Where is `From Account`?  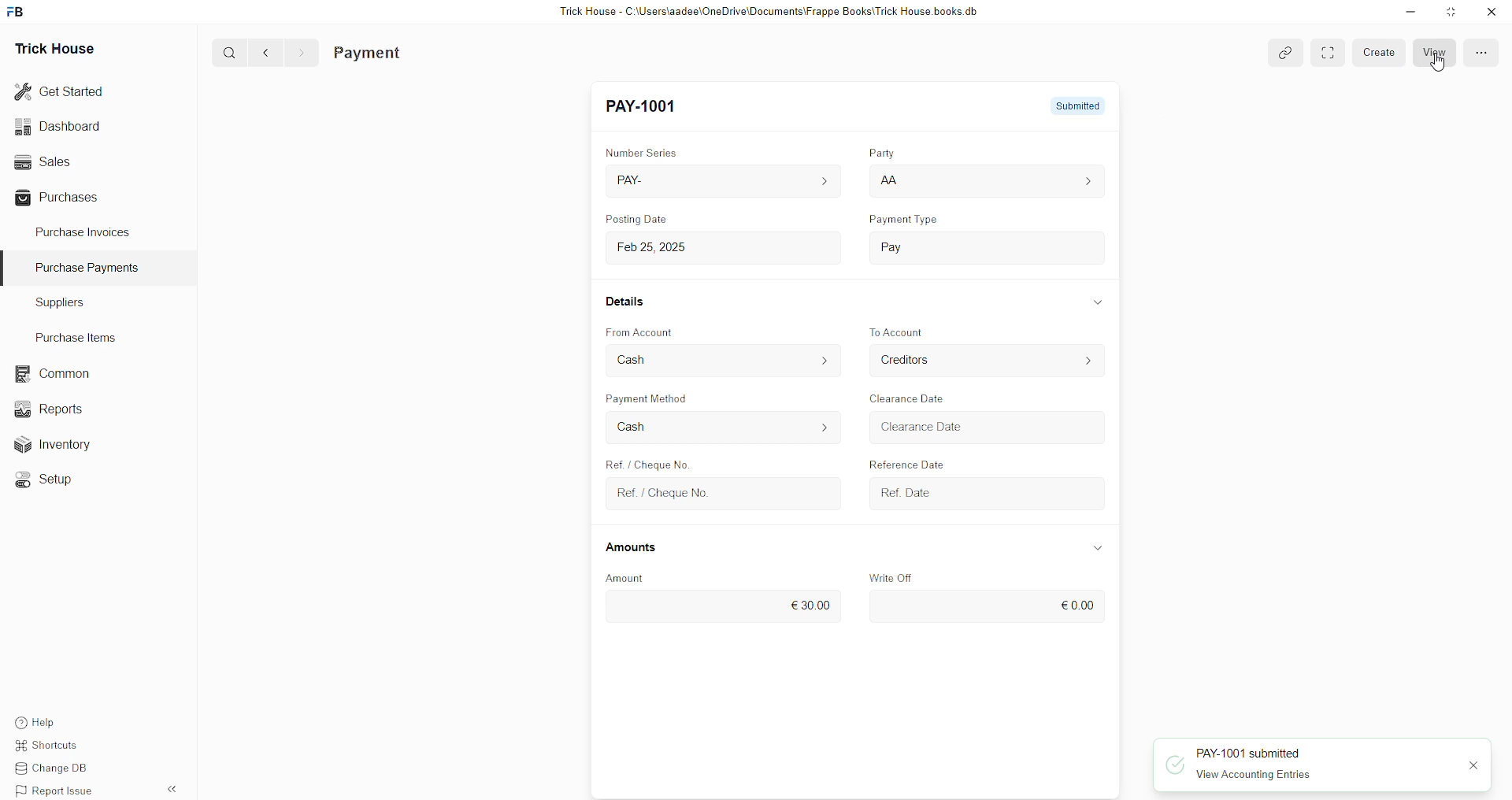 From Account is located at coordinates (651, 330).